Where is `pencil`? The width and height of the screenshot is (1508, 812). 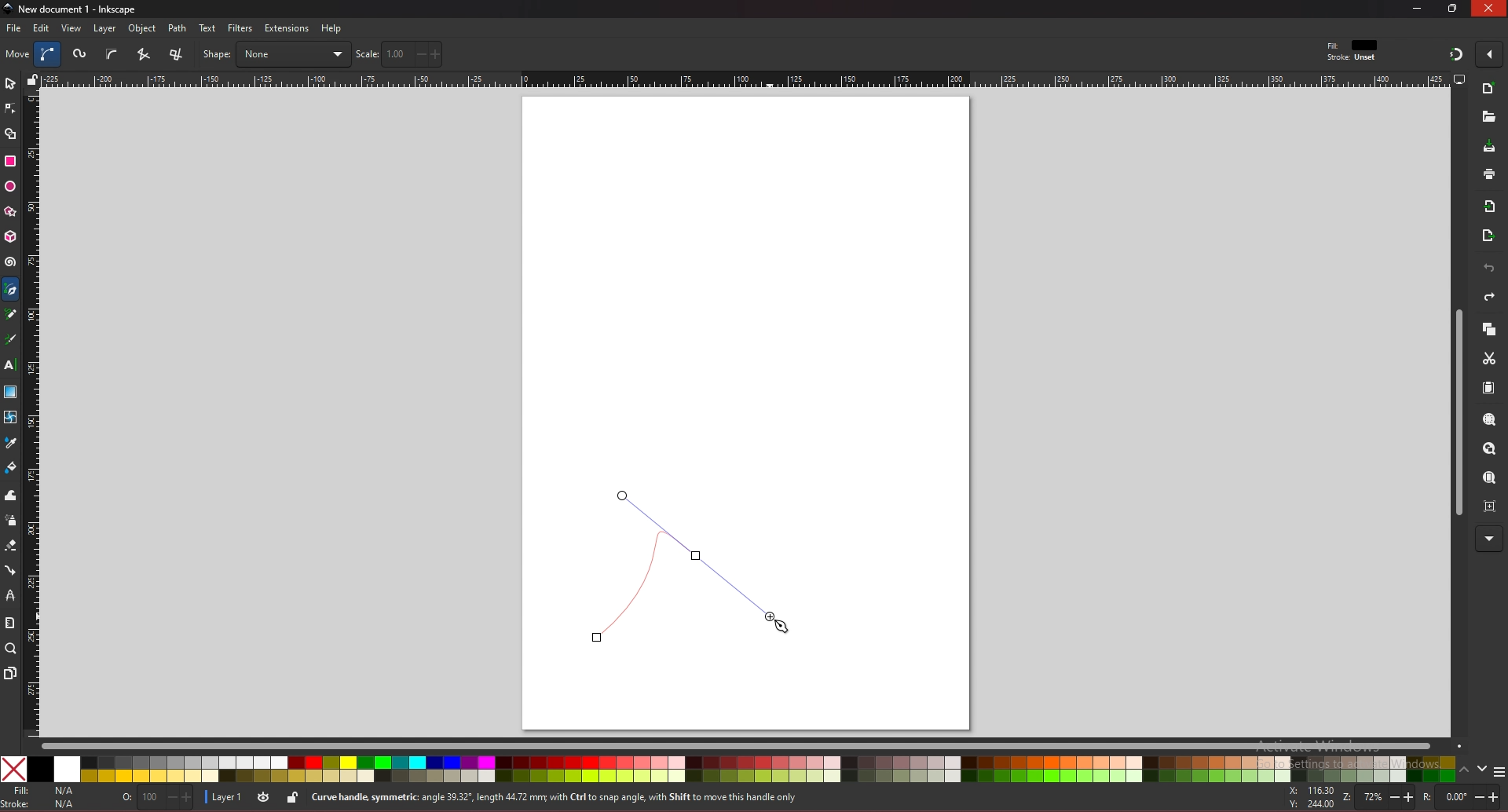 pencil is located at coordinates (15, 315).